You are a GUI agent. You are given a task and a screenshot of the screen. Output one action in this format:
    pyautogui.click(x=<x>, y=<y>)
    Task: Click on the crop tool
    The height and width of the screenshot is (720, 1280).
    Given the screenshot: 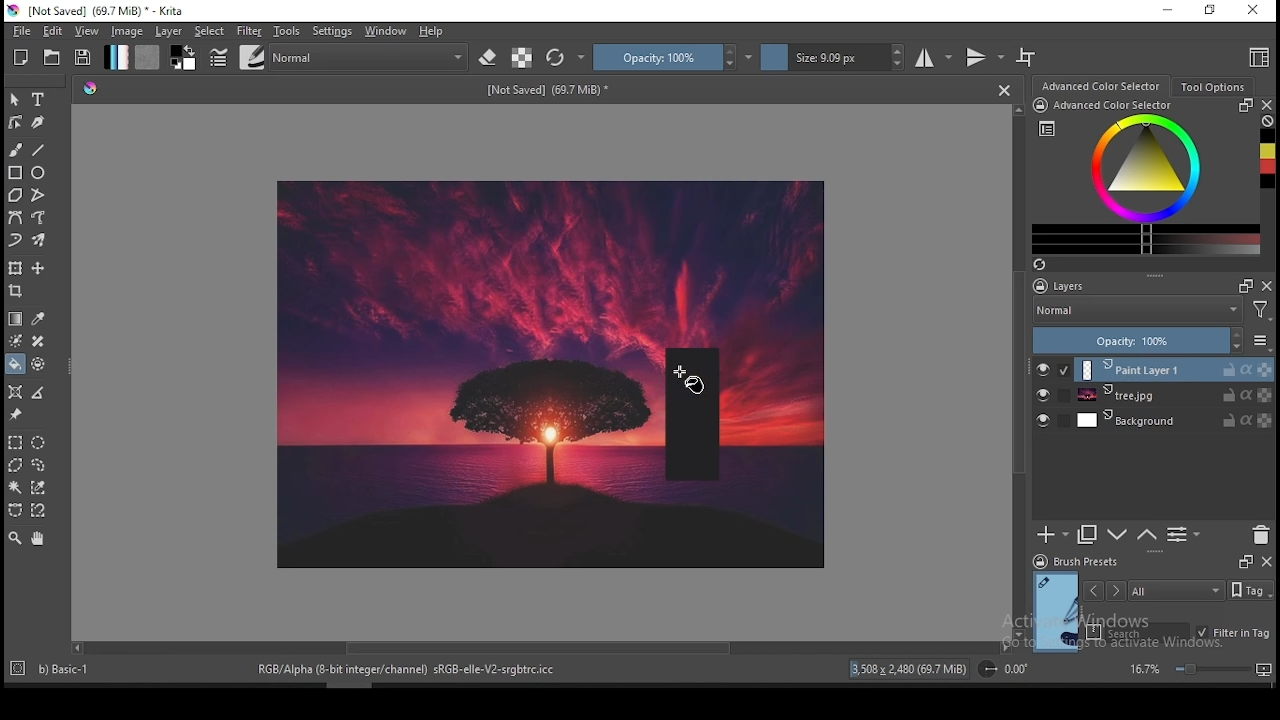 What is the action you would take?
    pyautogui.click(x=18, y=291)
    